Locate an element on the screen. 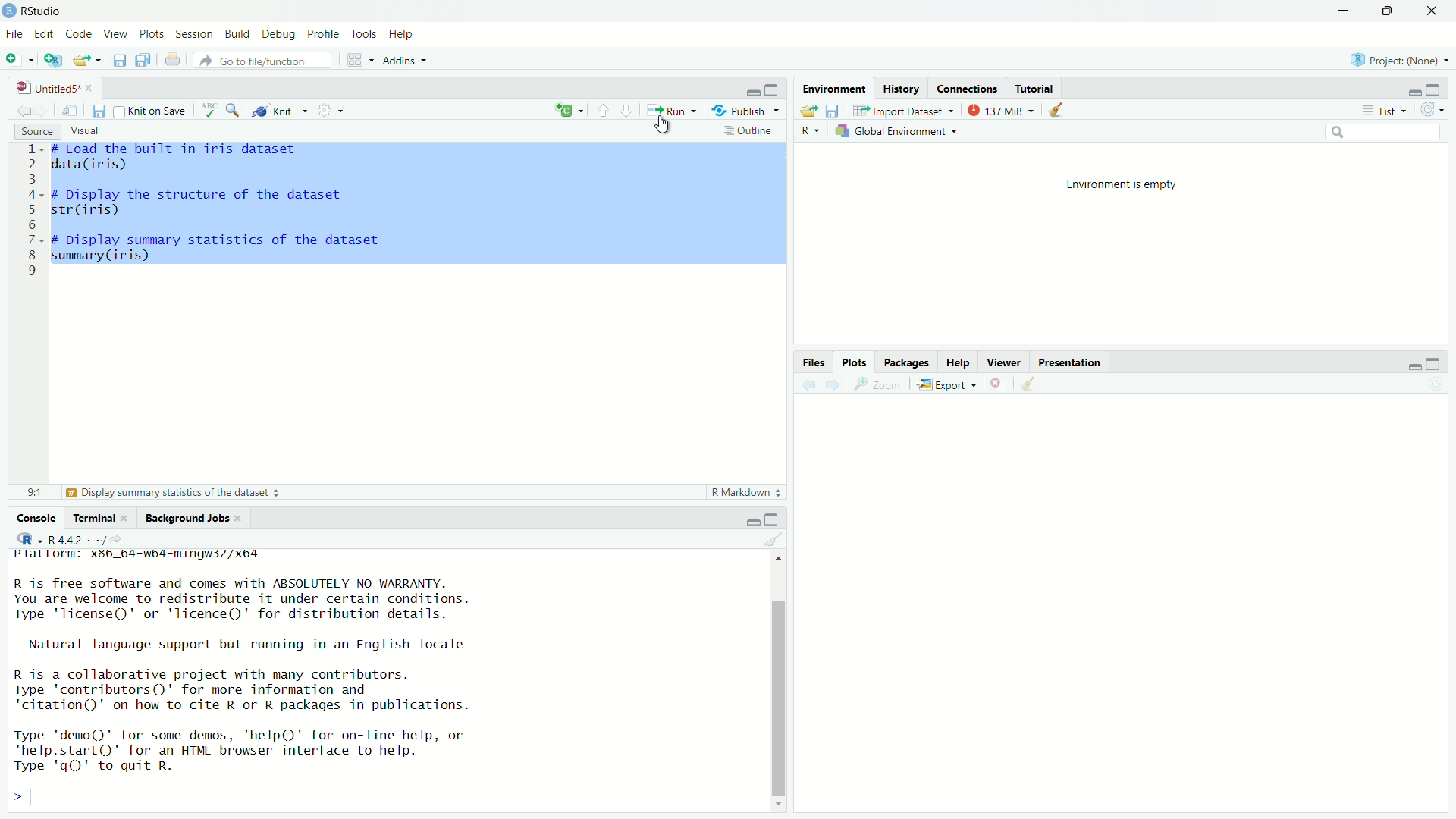 The height and width of the screenshot is (819, 1456). Clear is located at coordinates (1031, 383).